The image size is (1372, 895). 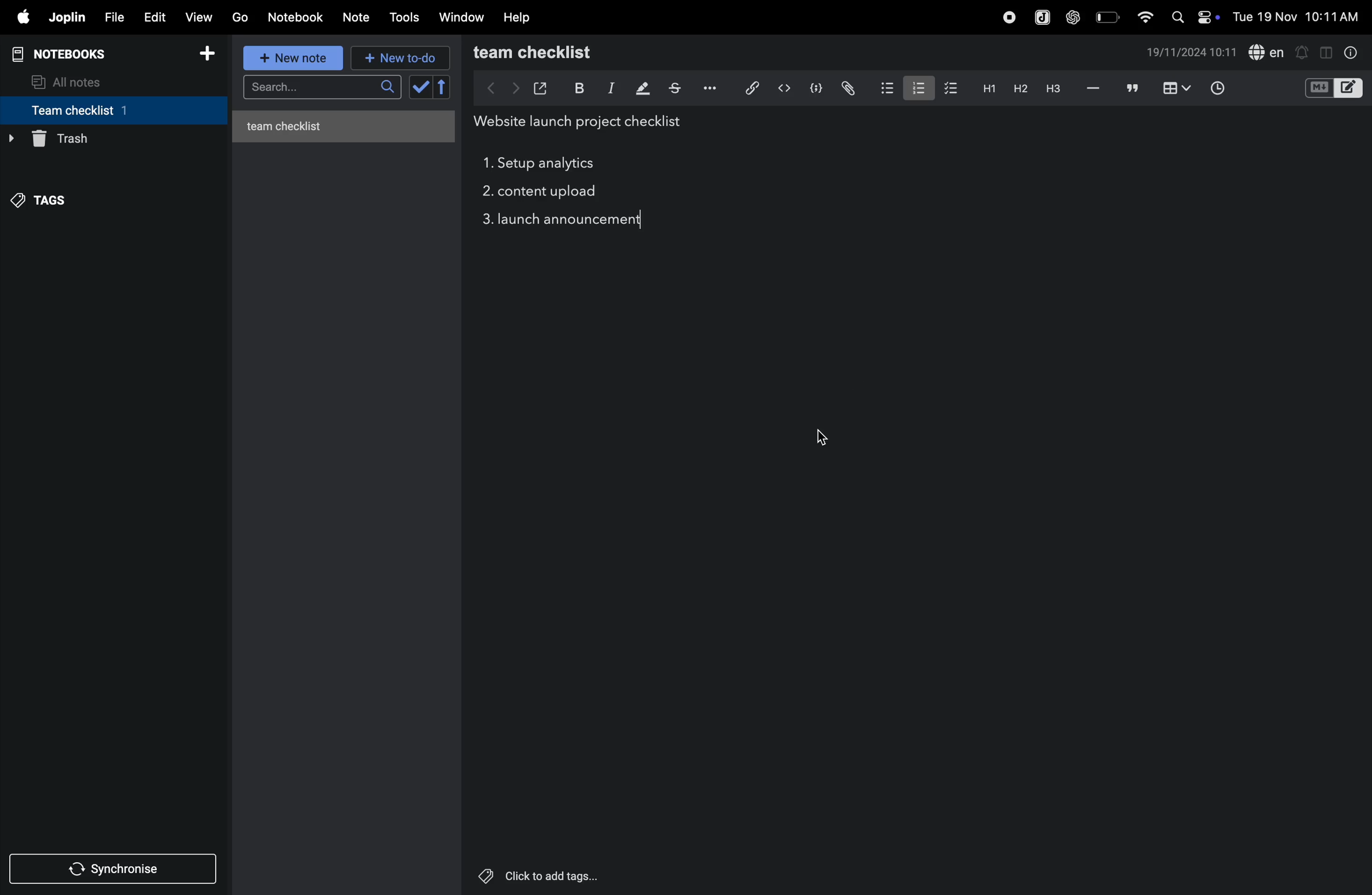 What do you see at coordinates (1092, 88) in the screenshot?
I see `hifen` at bounding box center [1092, 88].